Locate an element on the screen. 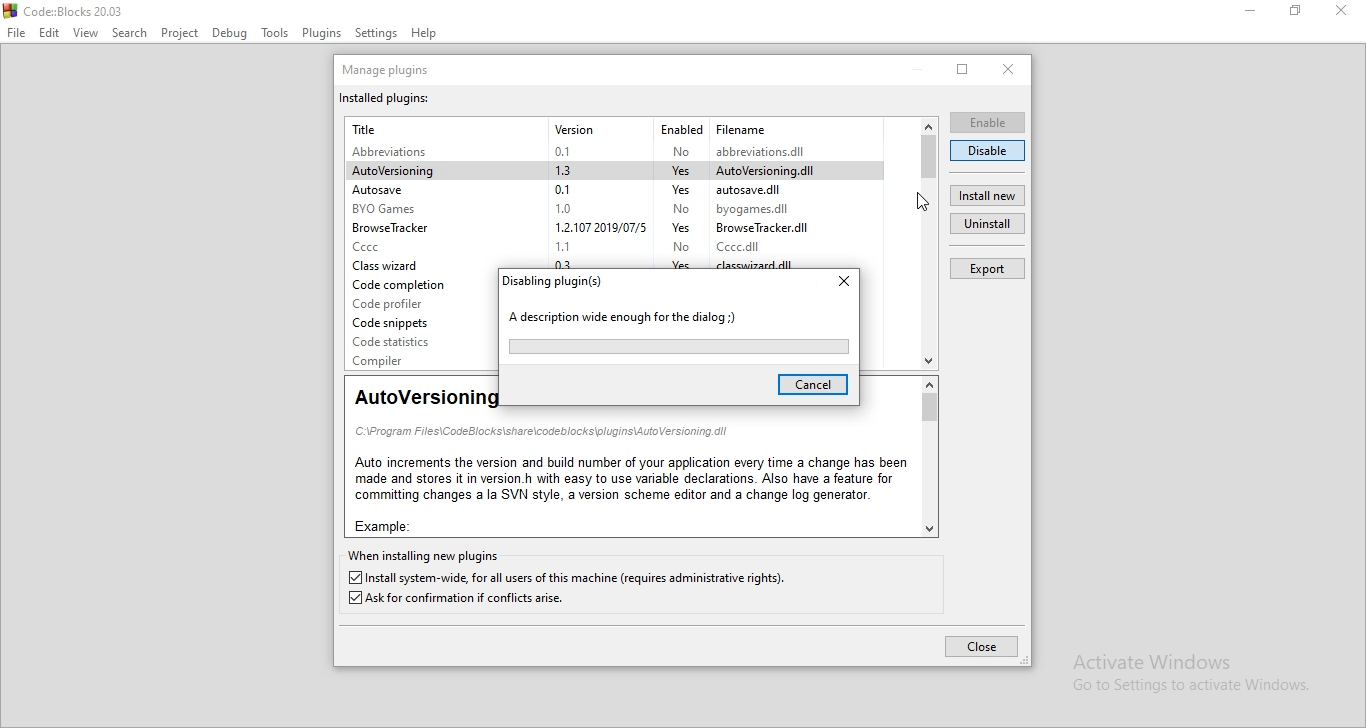 This screenshot has height=728, width=1366. Cccc is located at coordinates (399, 246).